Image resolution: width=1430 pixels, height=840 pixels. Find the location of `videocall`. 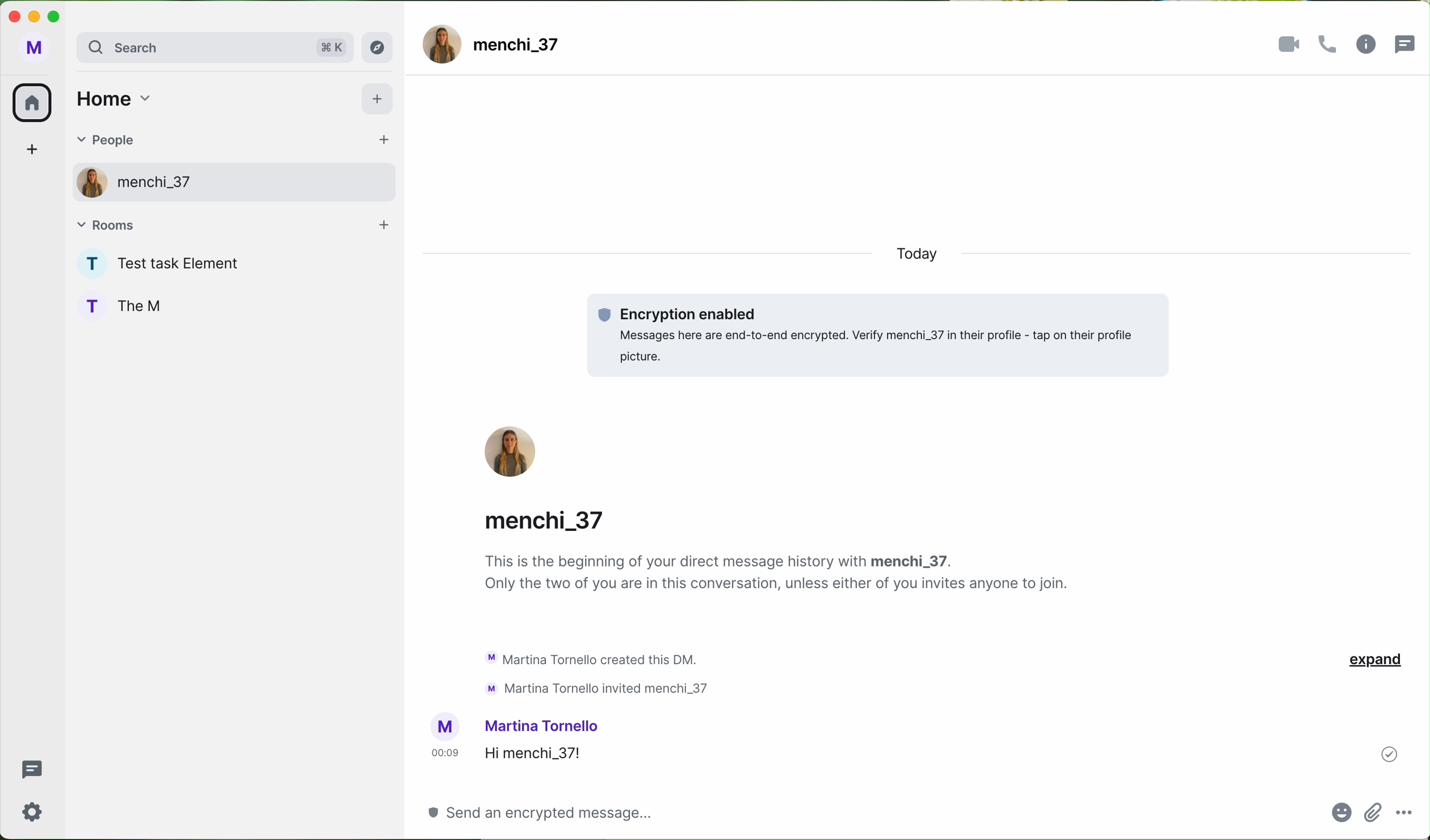

videocall is located at coordinates (1290, 44).